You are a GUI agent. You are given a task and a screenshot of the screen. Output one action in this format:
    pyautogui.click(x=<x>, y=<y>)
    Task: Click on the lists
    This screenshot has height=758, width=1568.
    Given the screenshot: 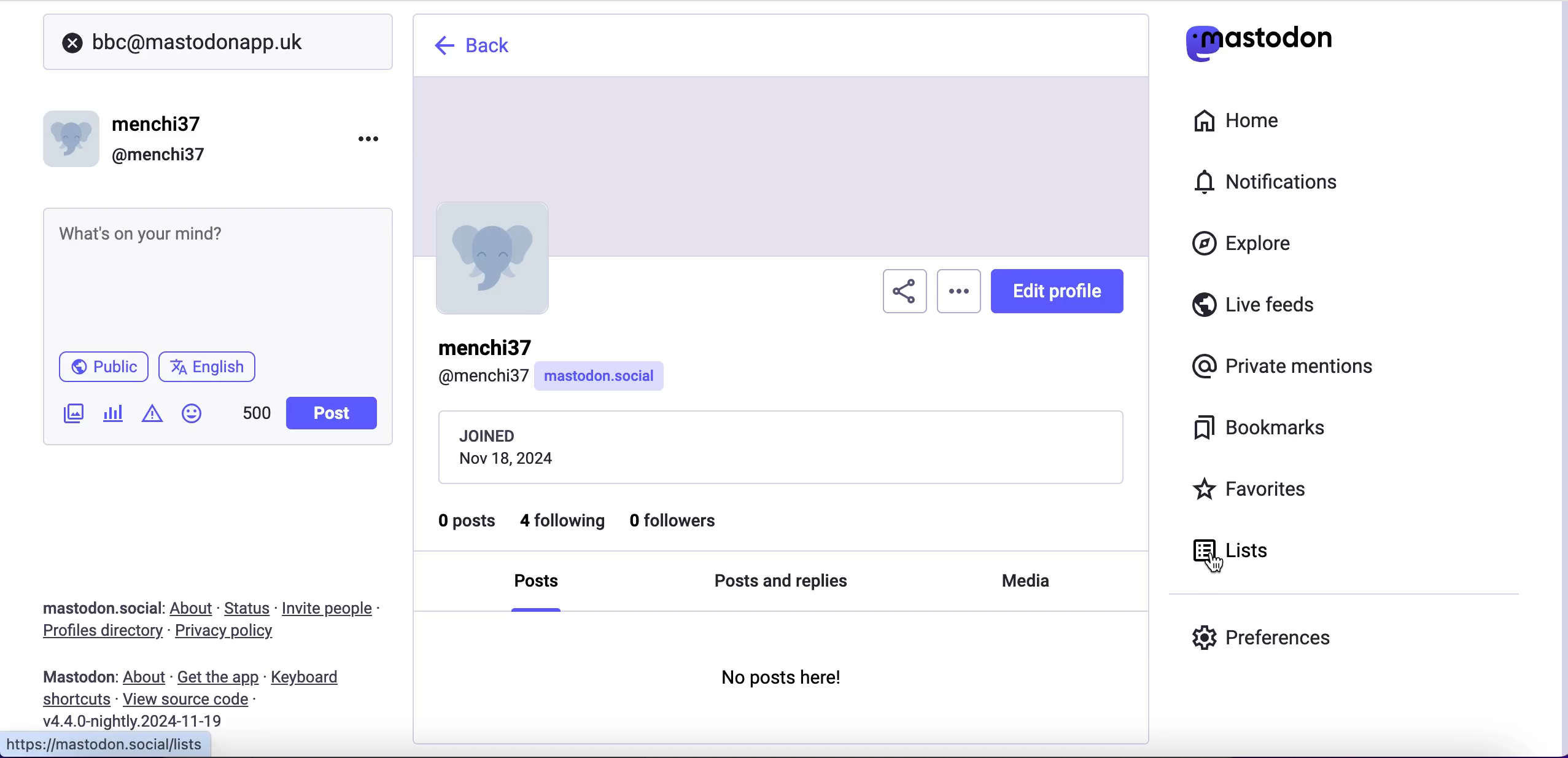 What is the action you would take?
    pyautogui.click(x=1256, y=550)
    